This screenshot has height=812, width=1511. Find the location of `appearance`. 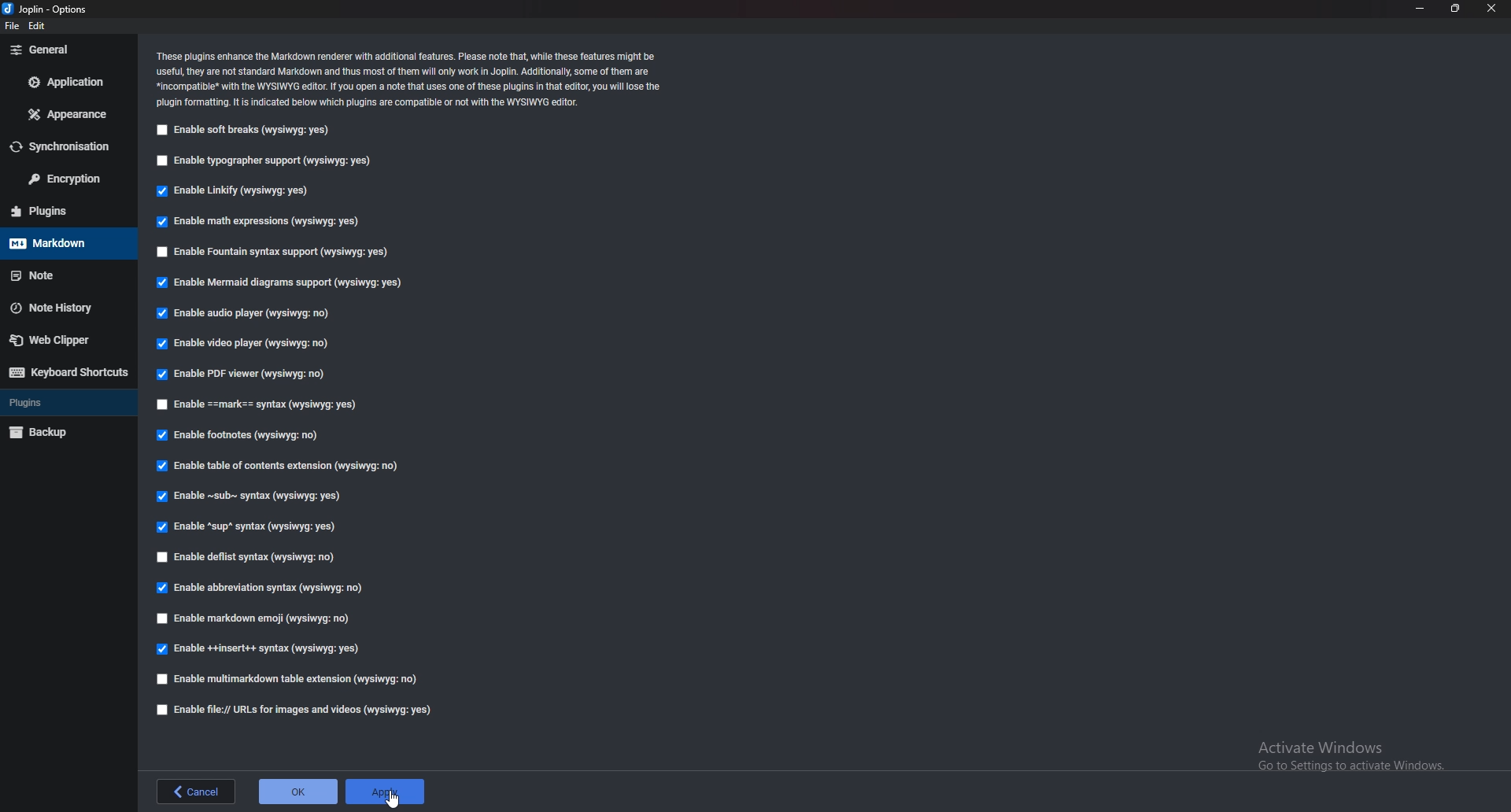

appearance is located at coordinates (71, 116).